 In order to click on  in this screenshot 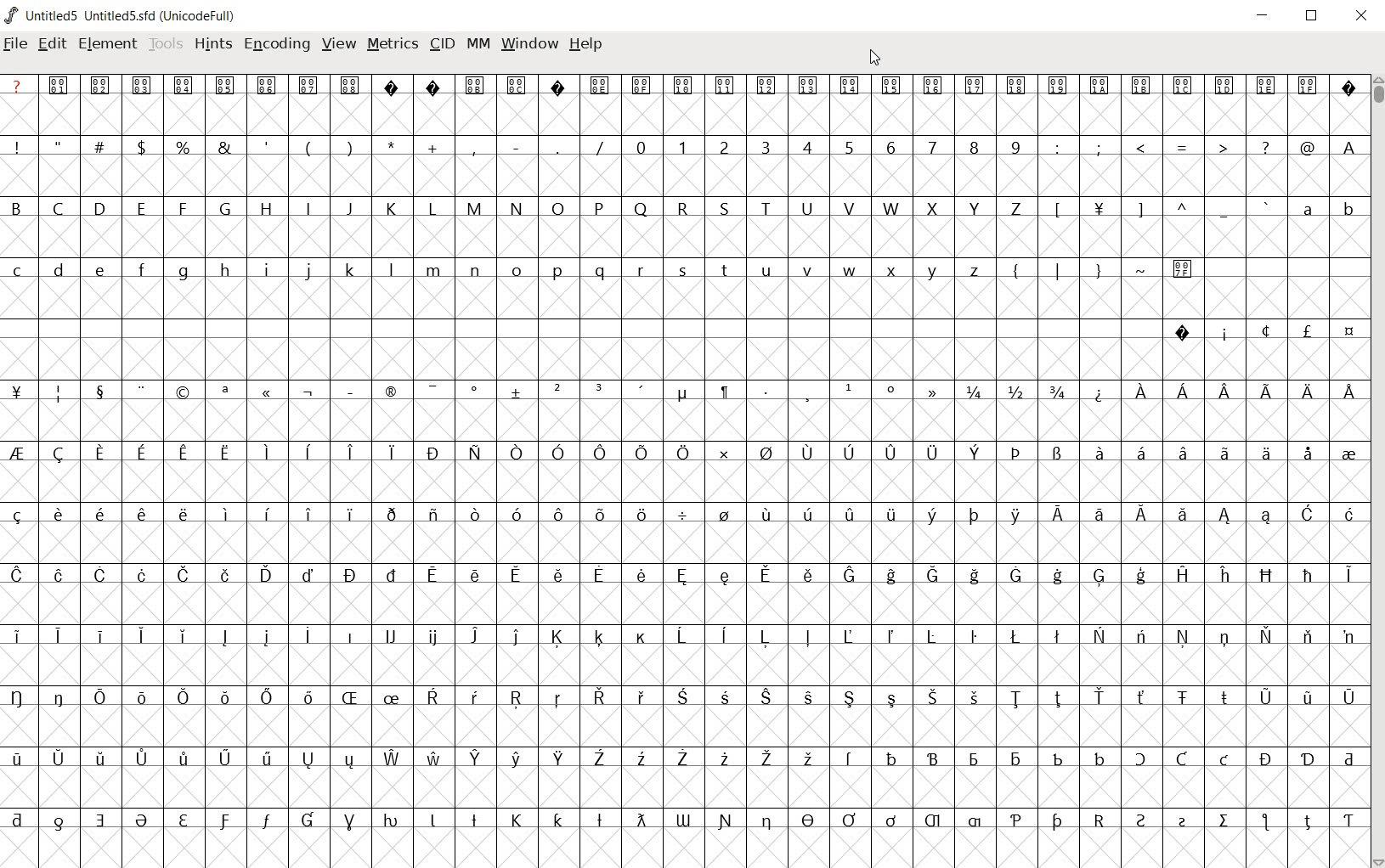, I will do `click(266, 513)`.